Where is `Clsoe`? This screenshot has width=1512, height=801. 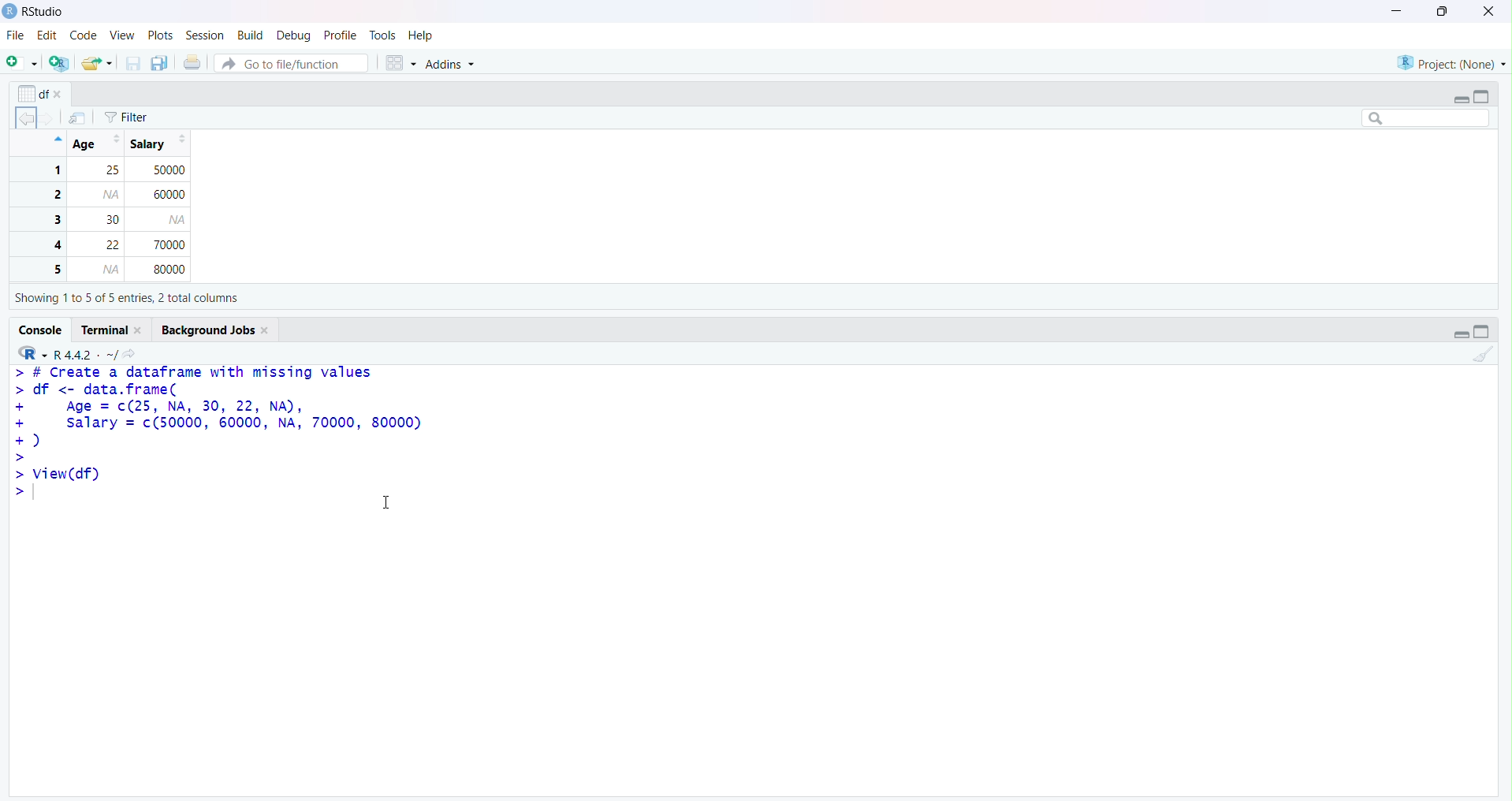
Clsoe is located at coordinates (1489, 12).